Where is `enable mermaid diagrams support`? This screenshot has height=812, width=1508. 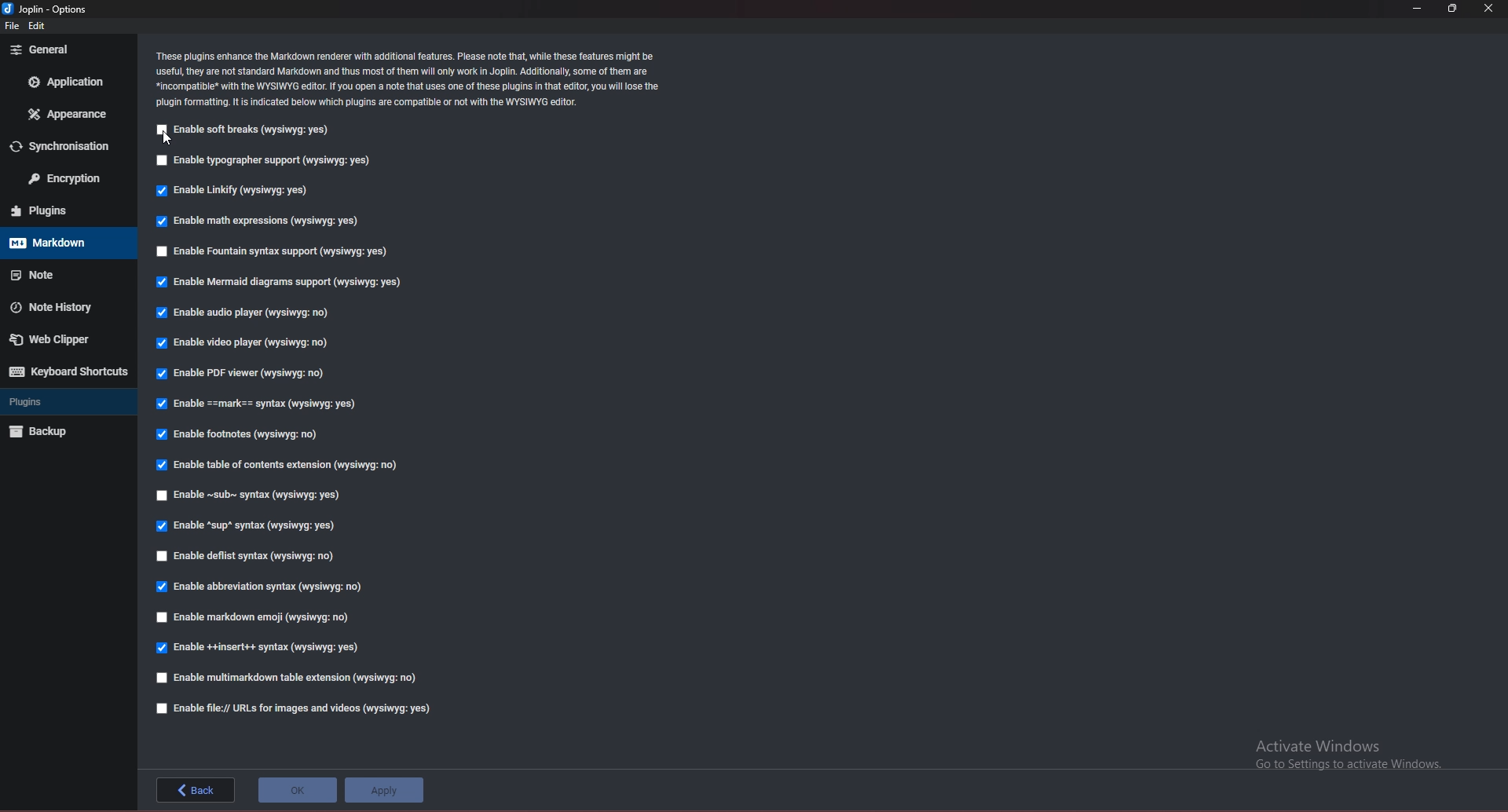
enable mermaid diagrams support is located at coordinates (278, 283).